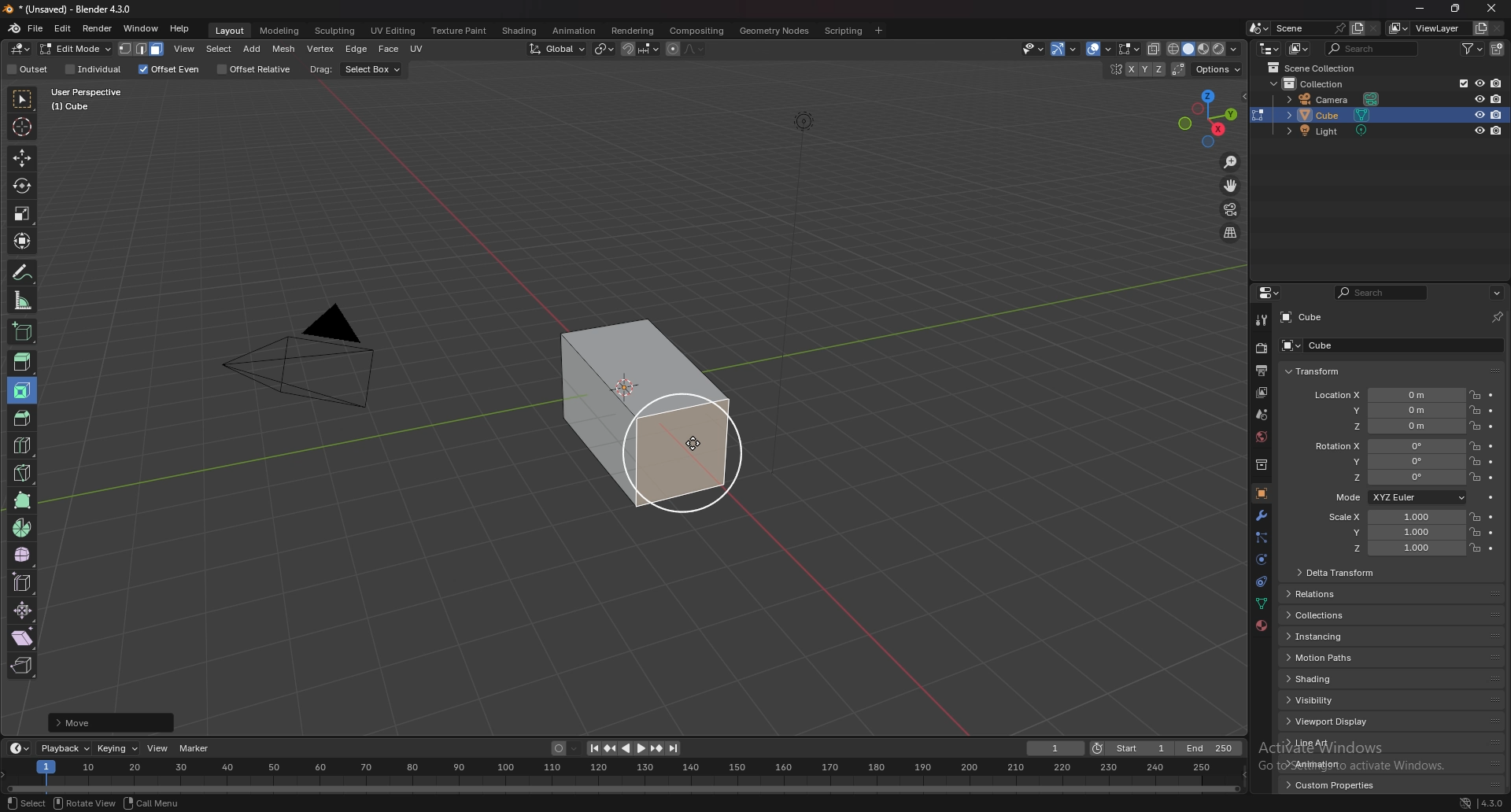 This screenshot has height=812, width=1511. I want to click on lock, so click(1475, 461).